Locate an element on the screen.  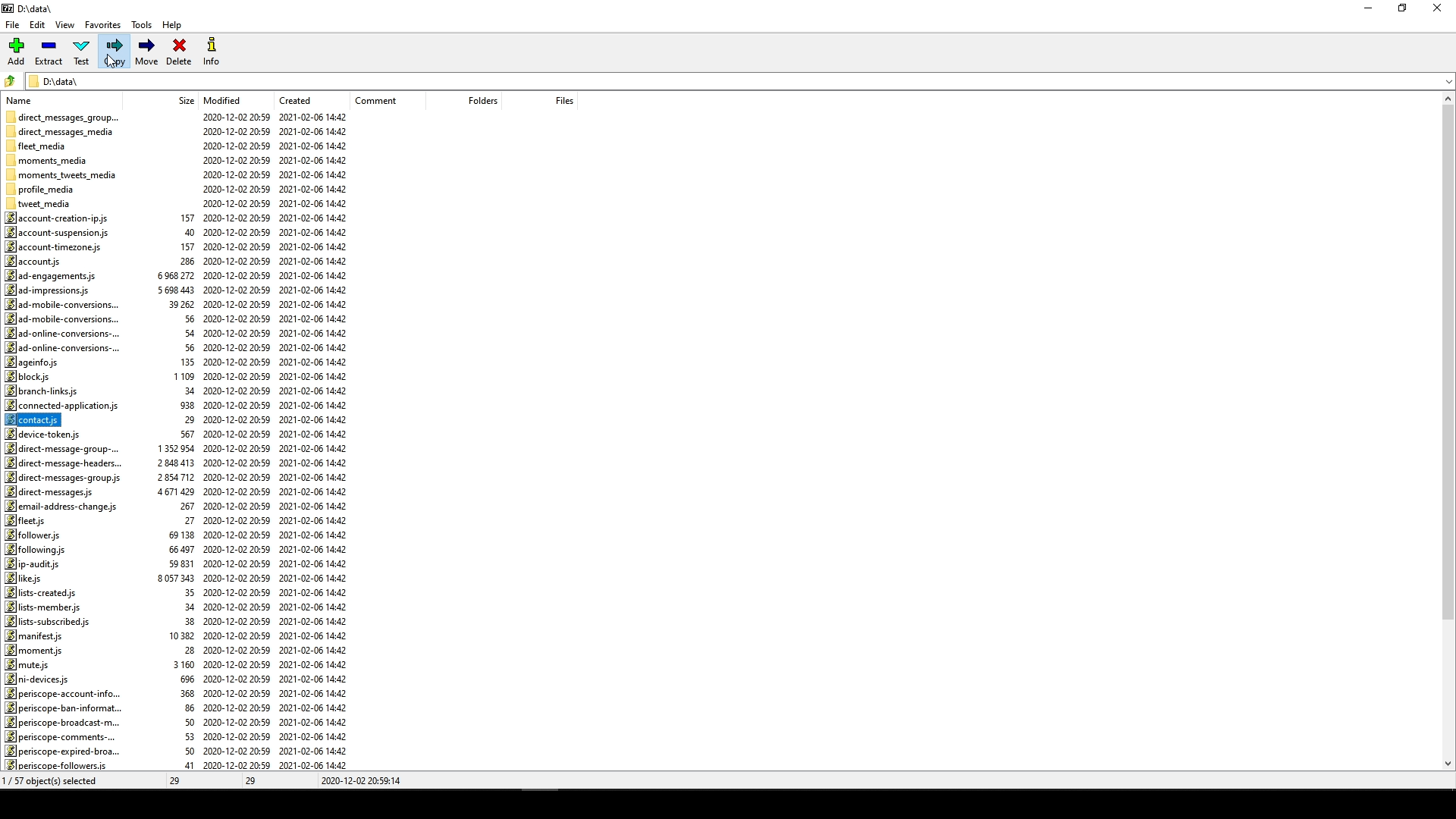
fol is located at coordinates (36, 549).